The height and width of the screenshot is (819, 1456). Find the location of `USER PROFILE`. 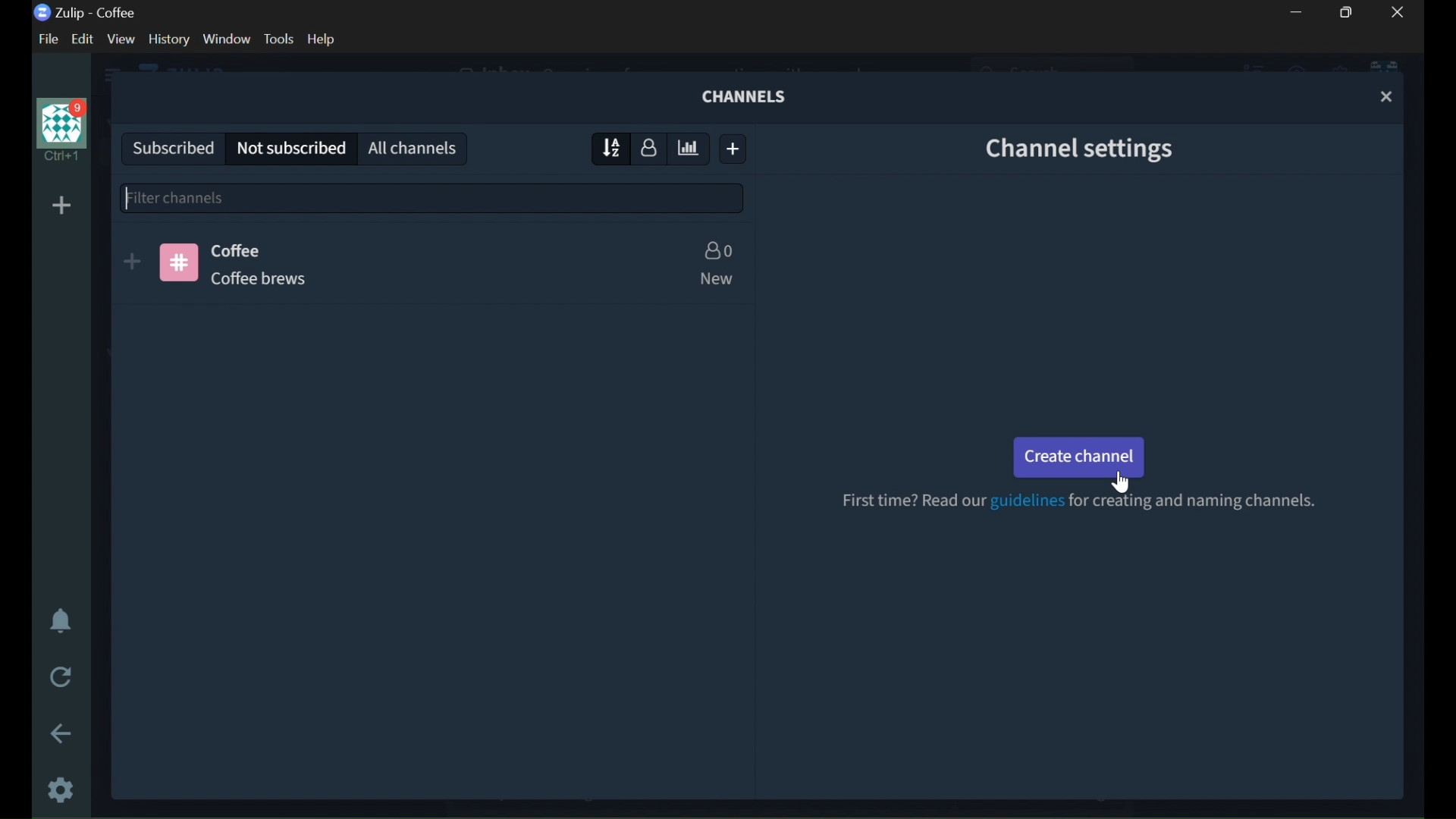

USER PROFILE is located at coordinates (59, 130).